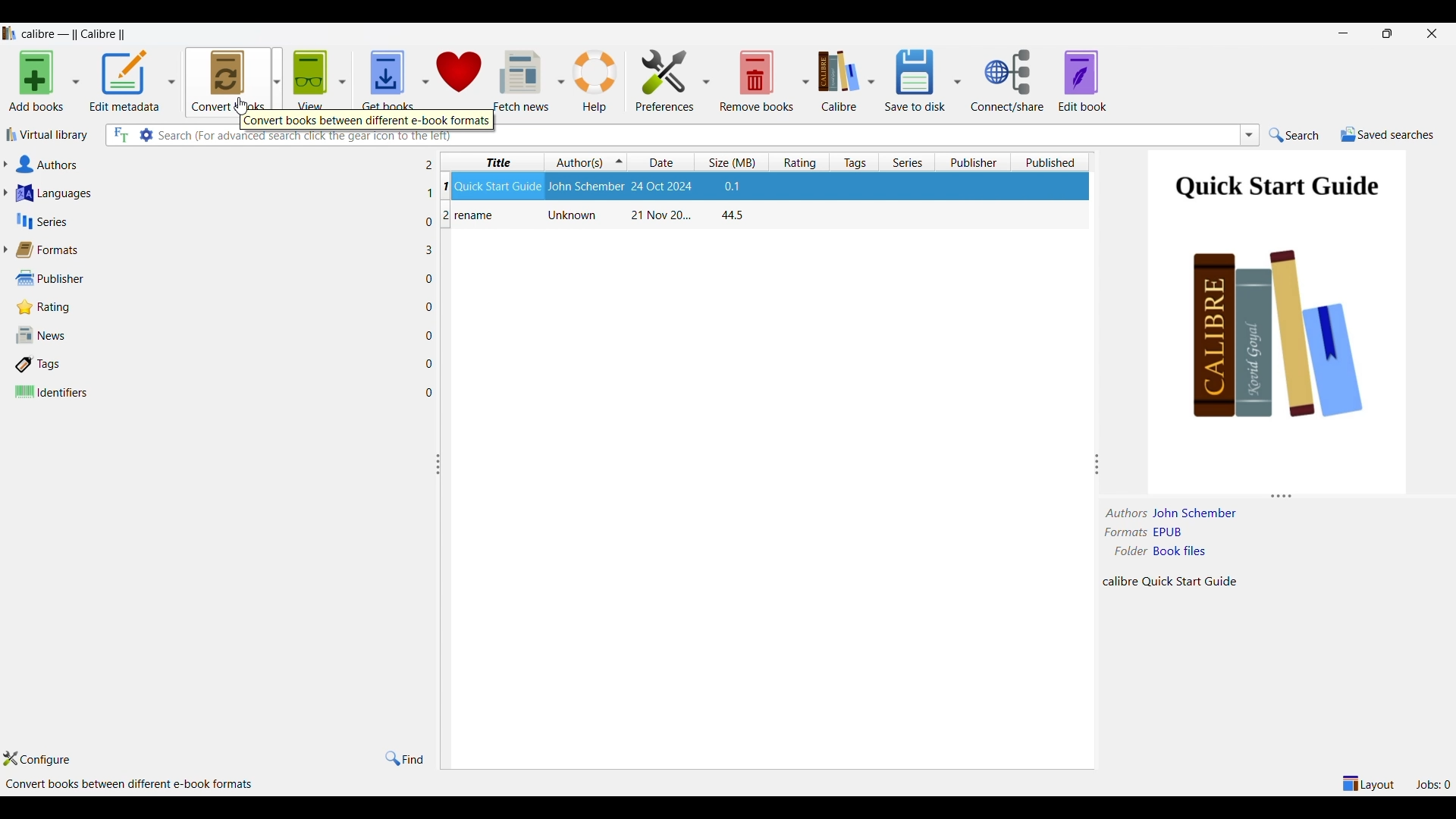 The height and width of the screenshot is (819, 1456). Describe the element at coordinates (424, 80) in the screenshot. I see `Get book options` at that location.